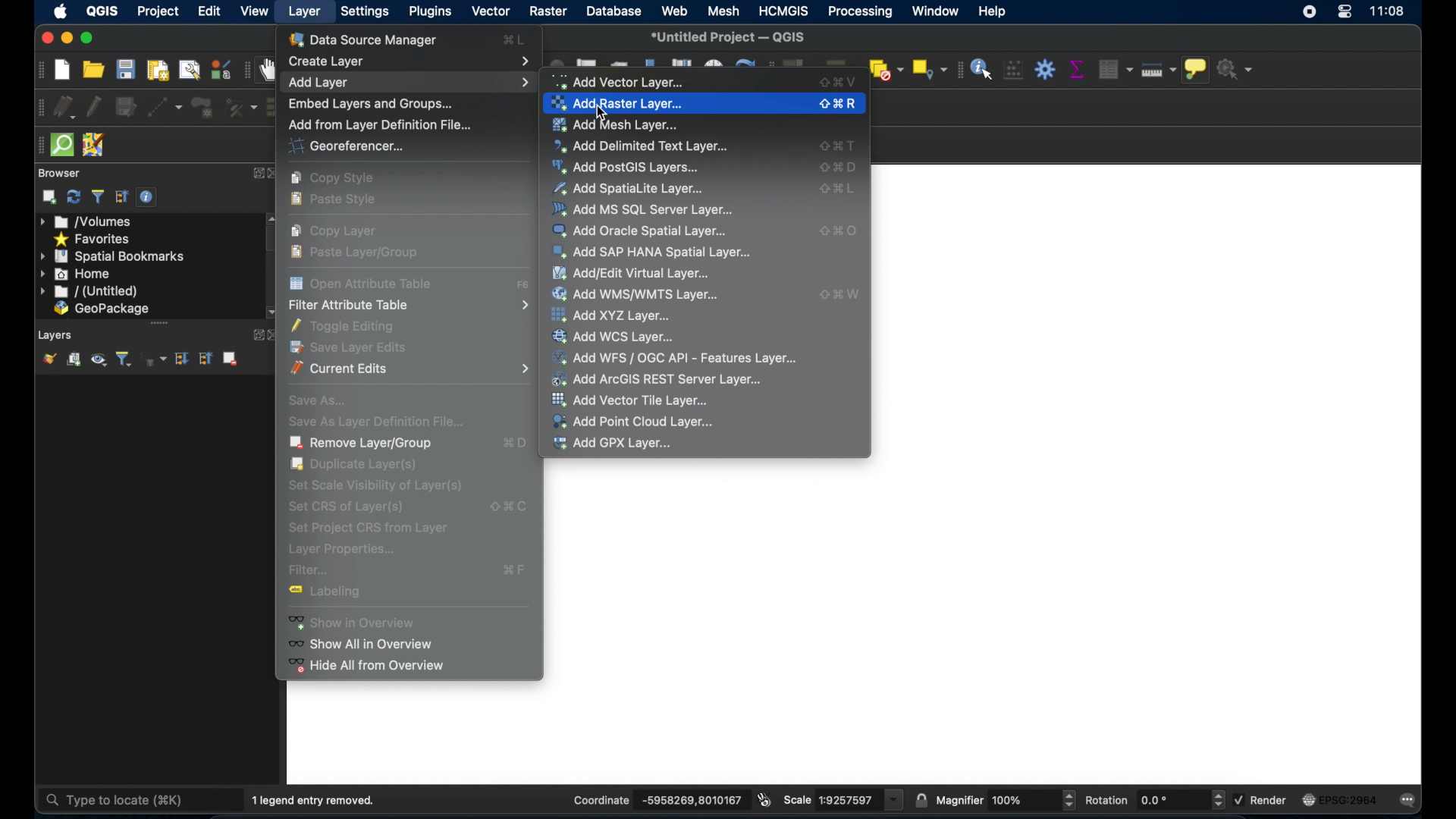 This screenshot has width=1456, height=819. What do you see at coordinates (367, 644) in the screenshot?
I see `show all in overview` at bounding box center [367, 644].